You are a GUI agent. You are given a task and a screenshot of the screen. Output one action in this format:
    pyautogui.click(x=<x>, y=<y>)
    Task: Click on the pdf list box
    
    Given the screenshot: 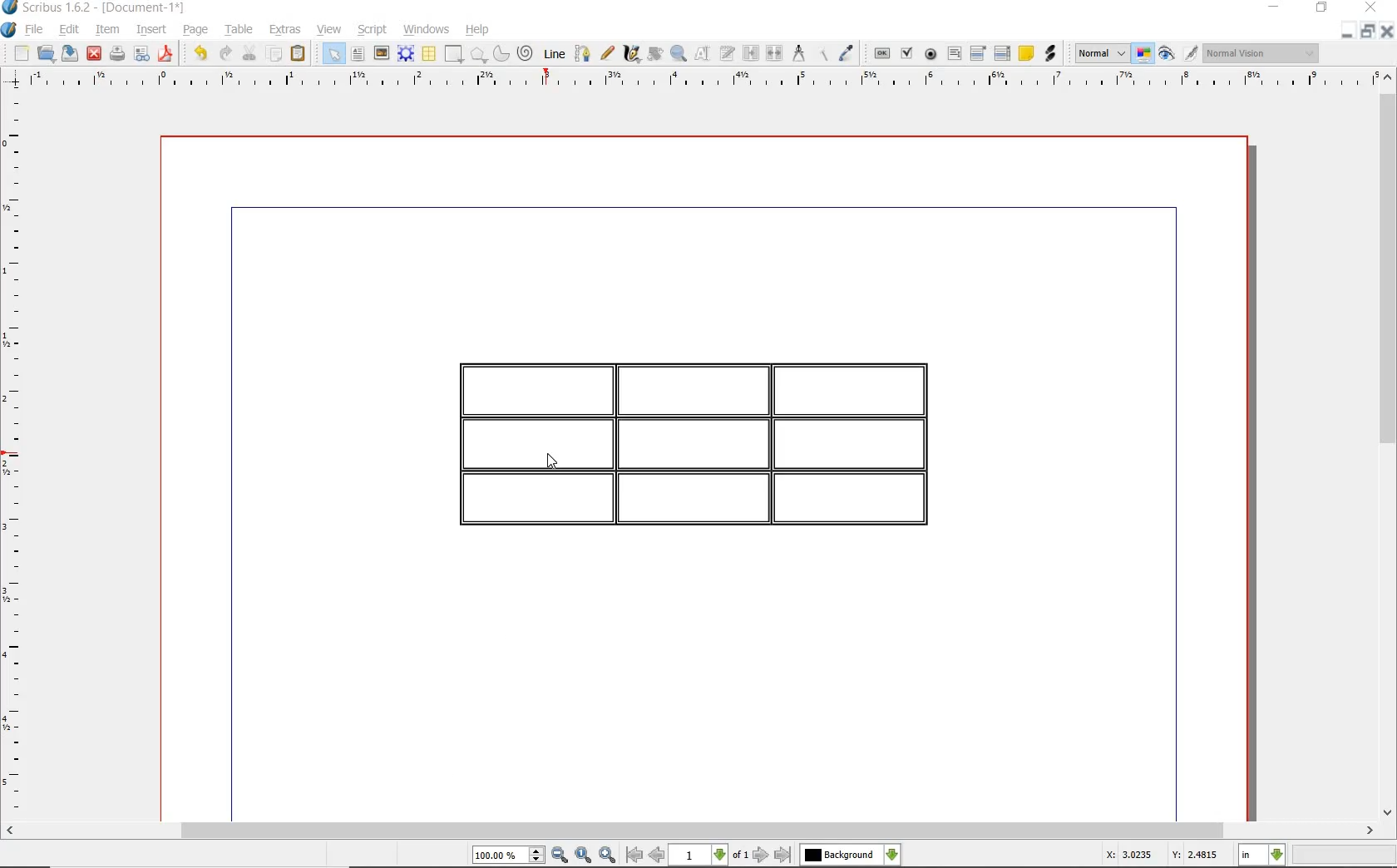 What is the action you would take?
    pyautogui.click(x=1003, y=53)
    